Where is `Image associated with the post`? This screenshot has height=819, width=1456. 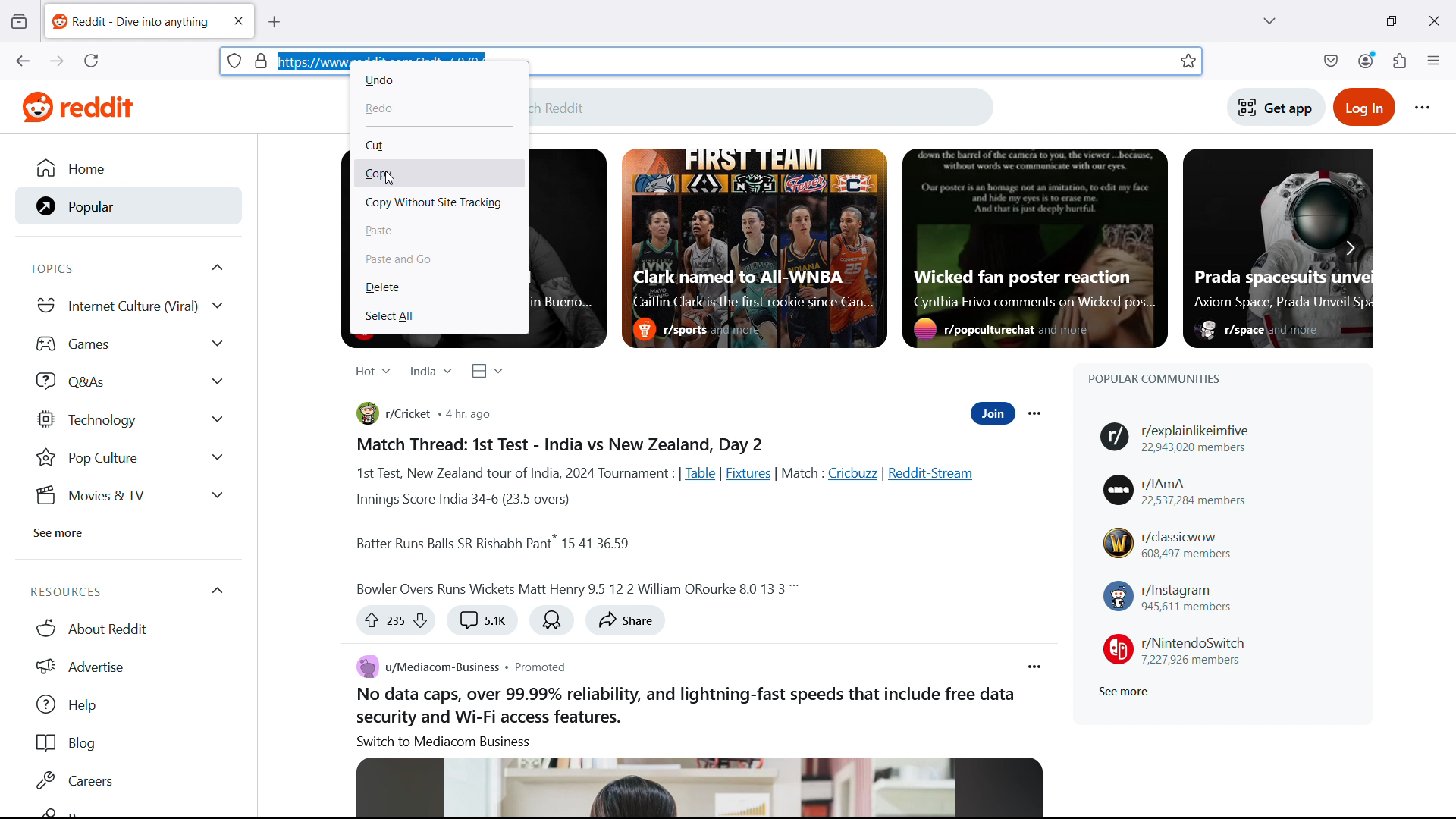 Image associated with the post is located at coordinates (699, 788).